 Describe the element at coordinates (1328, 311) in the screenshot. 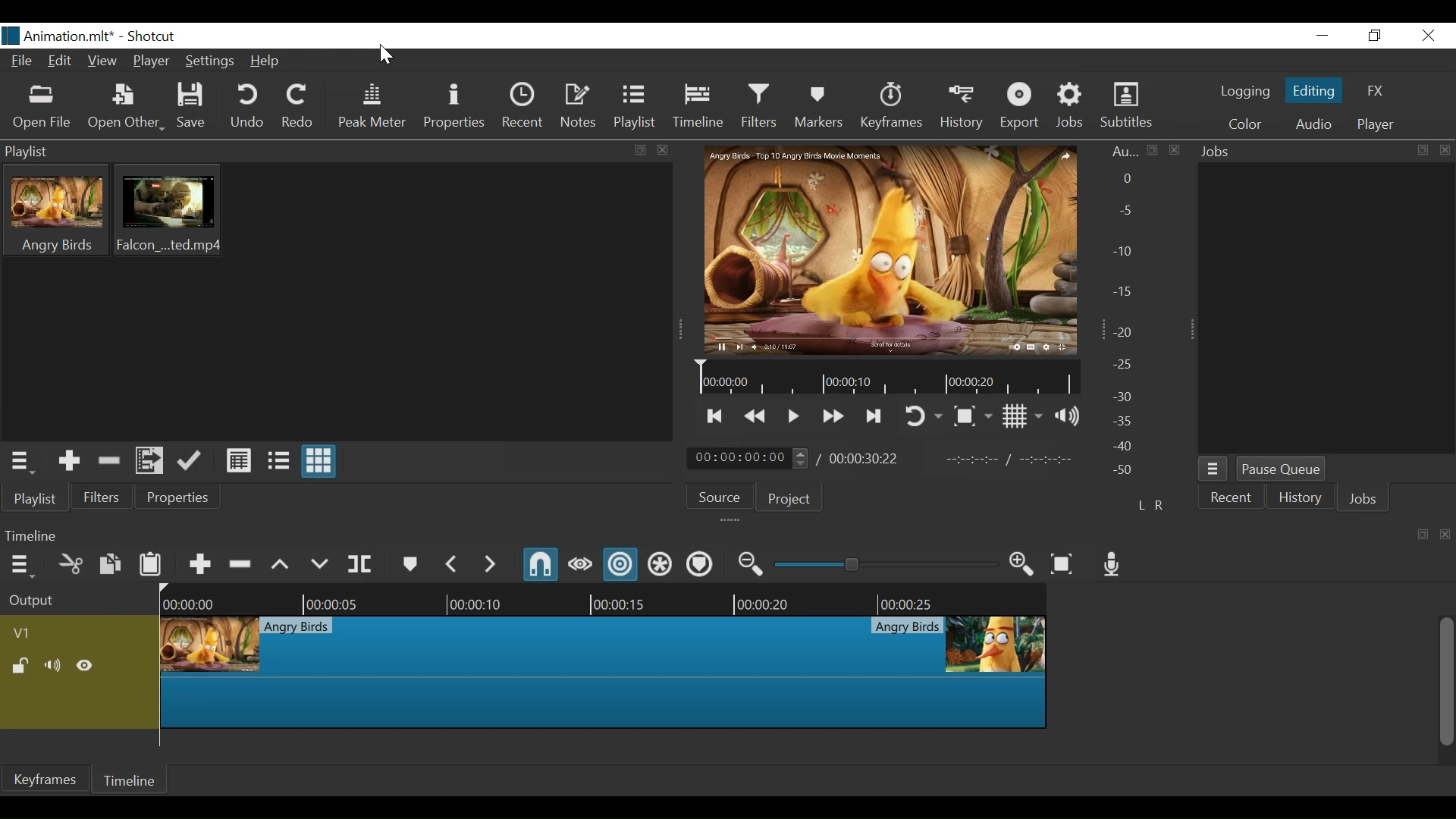

I see `Jobs Panel` at that location.